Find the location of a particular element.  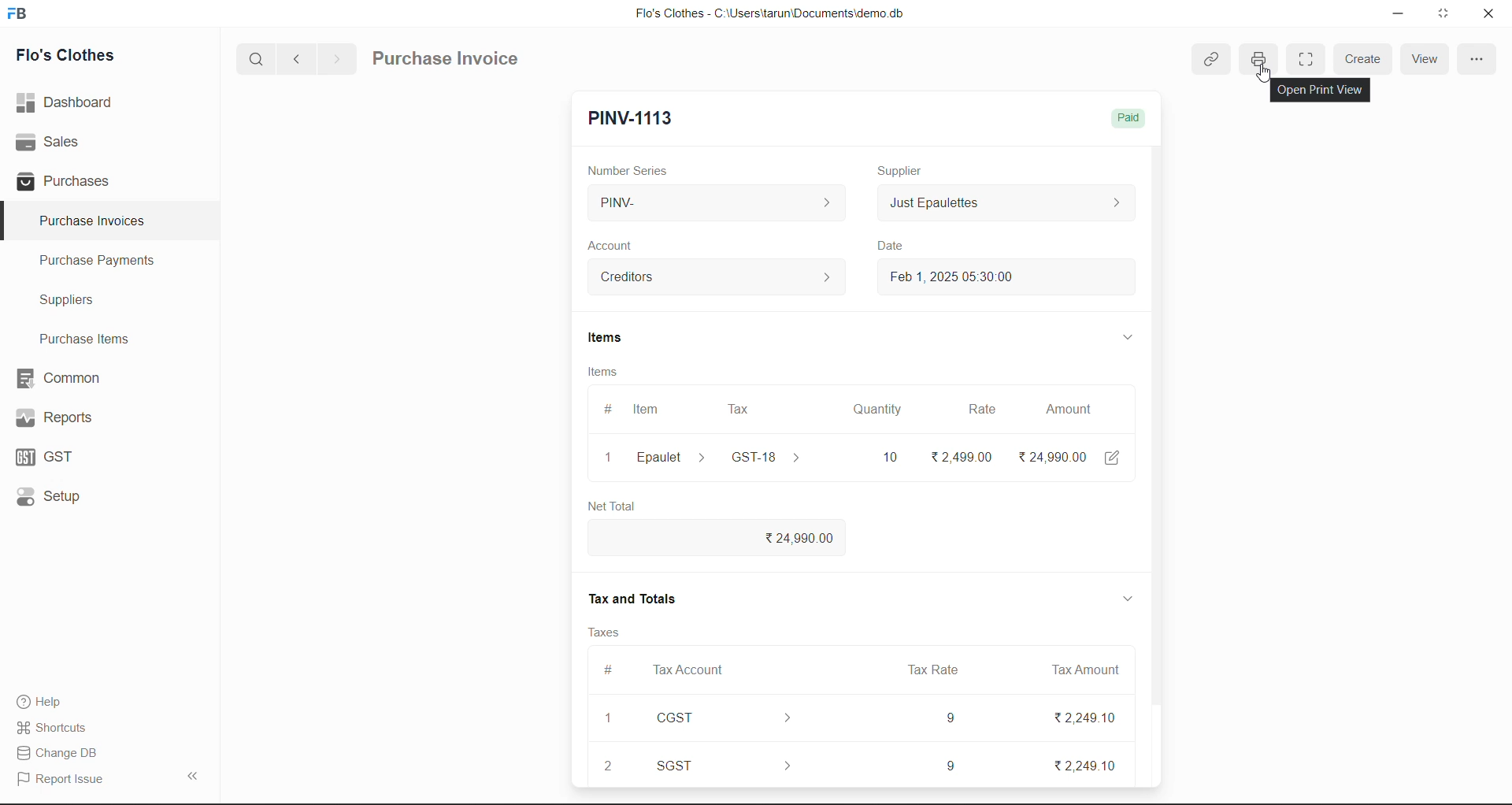

view linked entries is located at coordinates (1214, 61).